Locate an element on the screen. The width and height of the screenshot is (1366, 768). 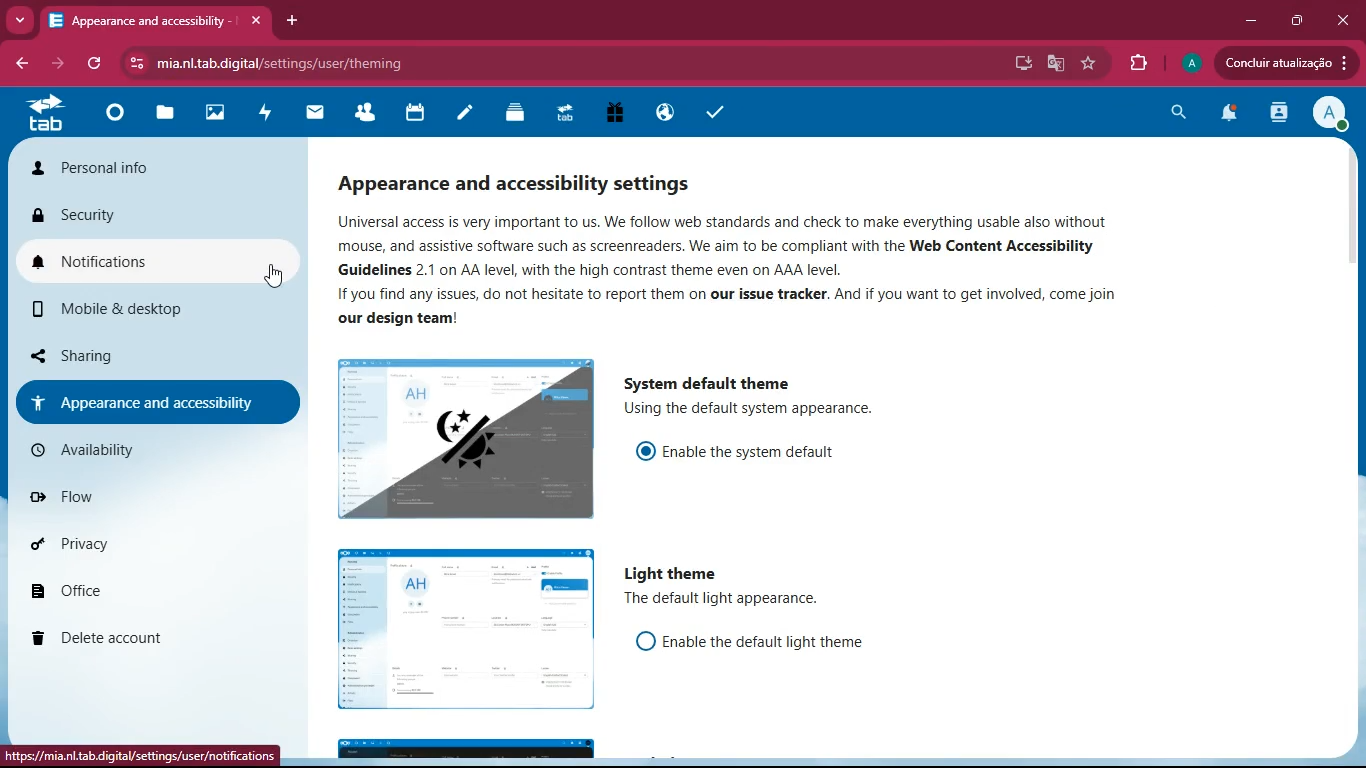
activity is located at coordinates (271, 116).